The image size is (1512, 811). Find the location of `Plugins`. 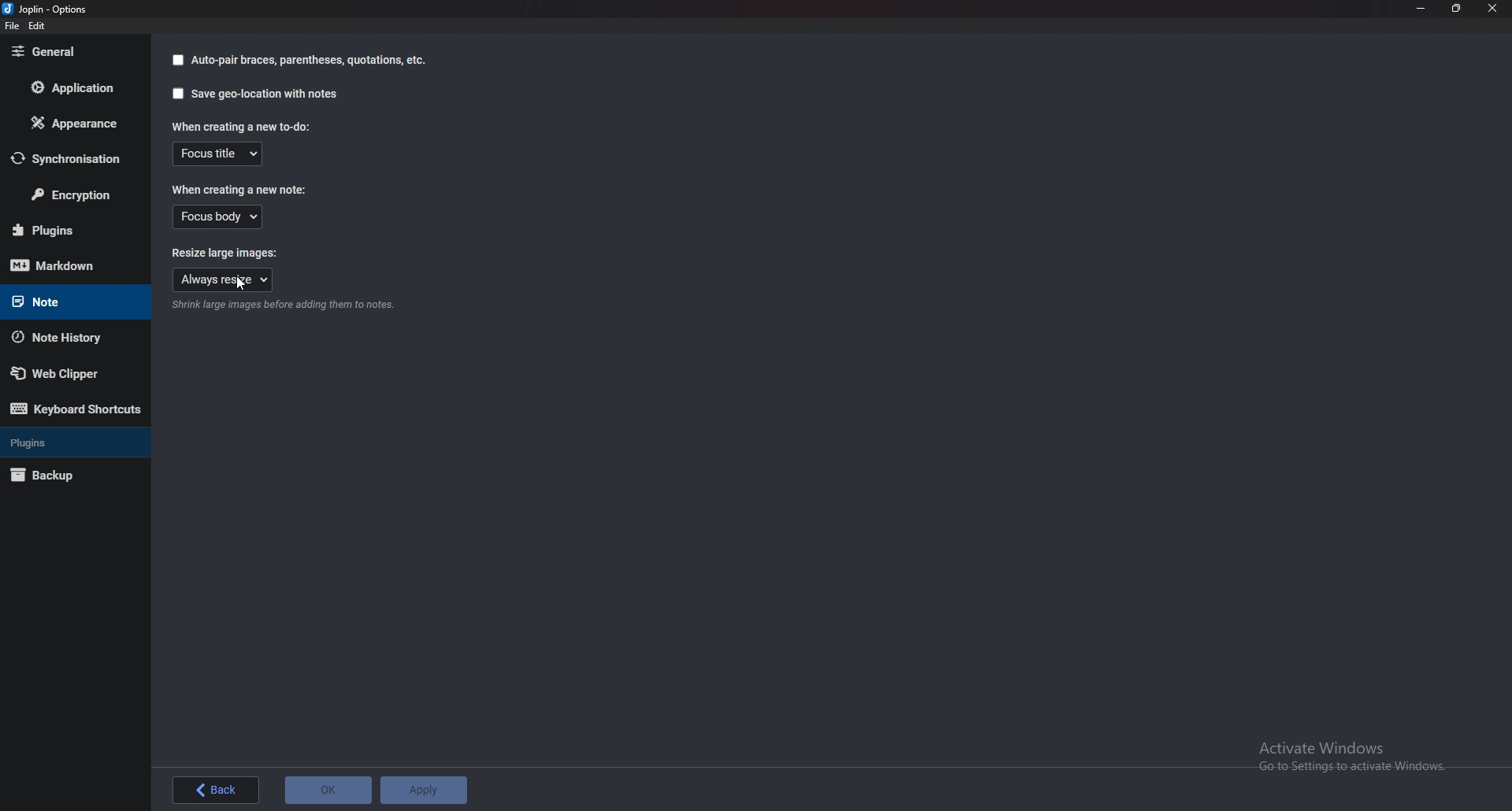

Plugins is located at coordinates (70, 441).